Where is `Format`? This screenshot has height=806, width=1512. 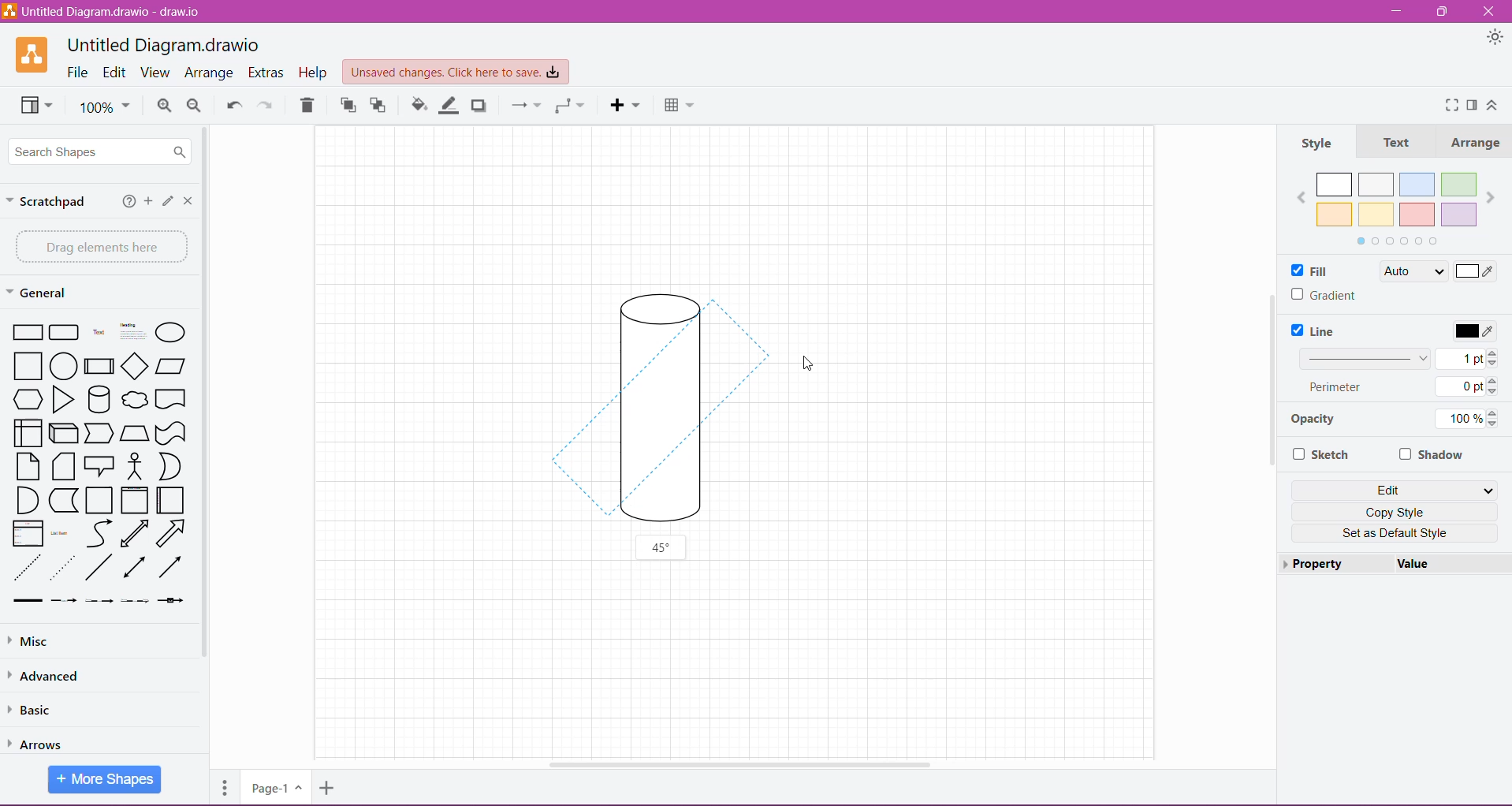 Format is located at coordinates (1472, 106).